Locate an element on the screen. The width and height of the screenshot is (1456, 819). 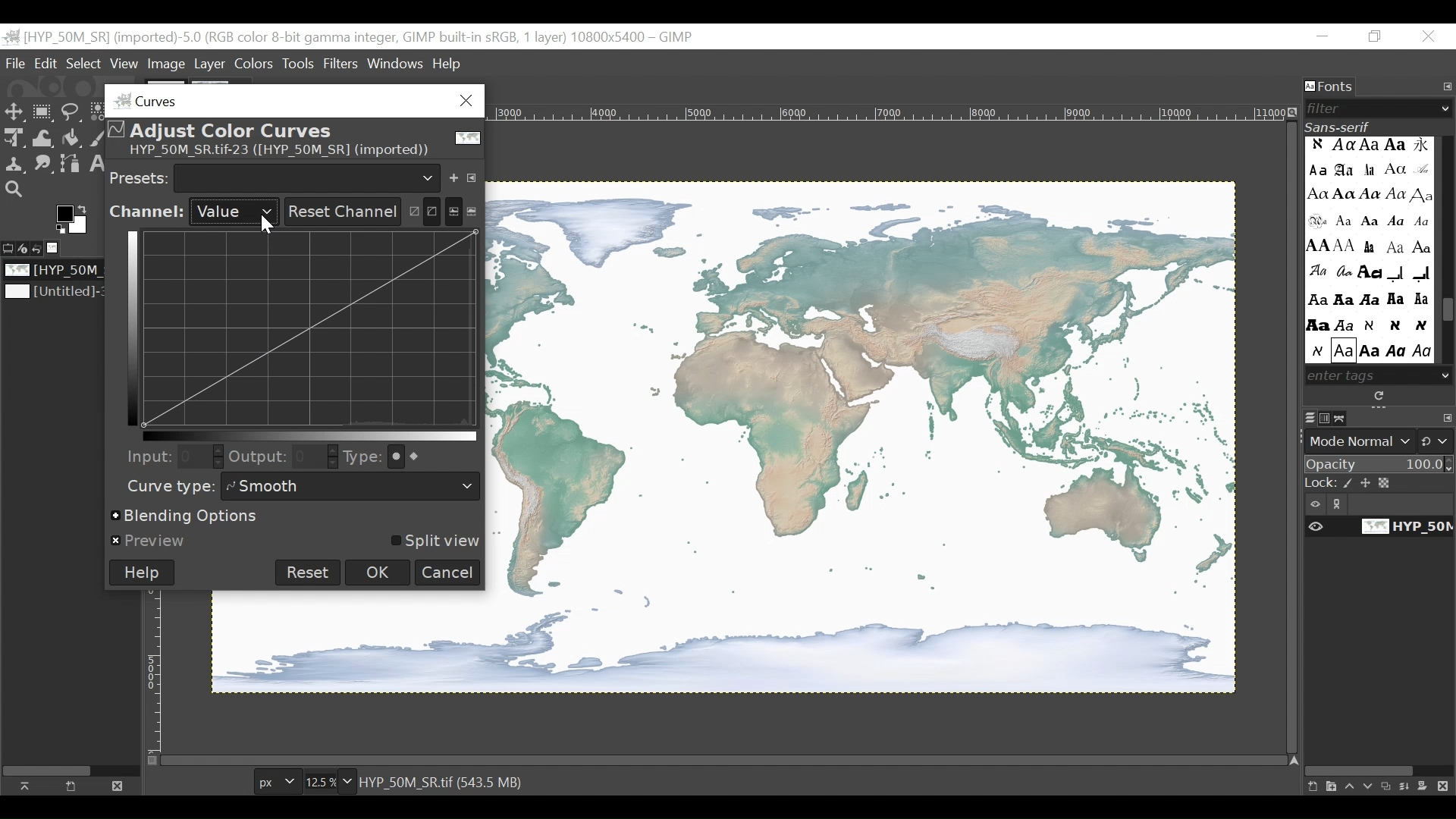
Image is located at coordinates (58, 271).